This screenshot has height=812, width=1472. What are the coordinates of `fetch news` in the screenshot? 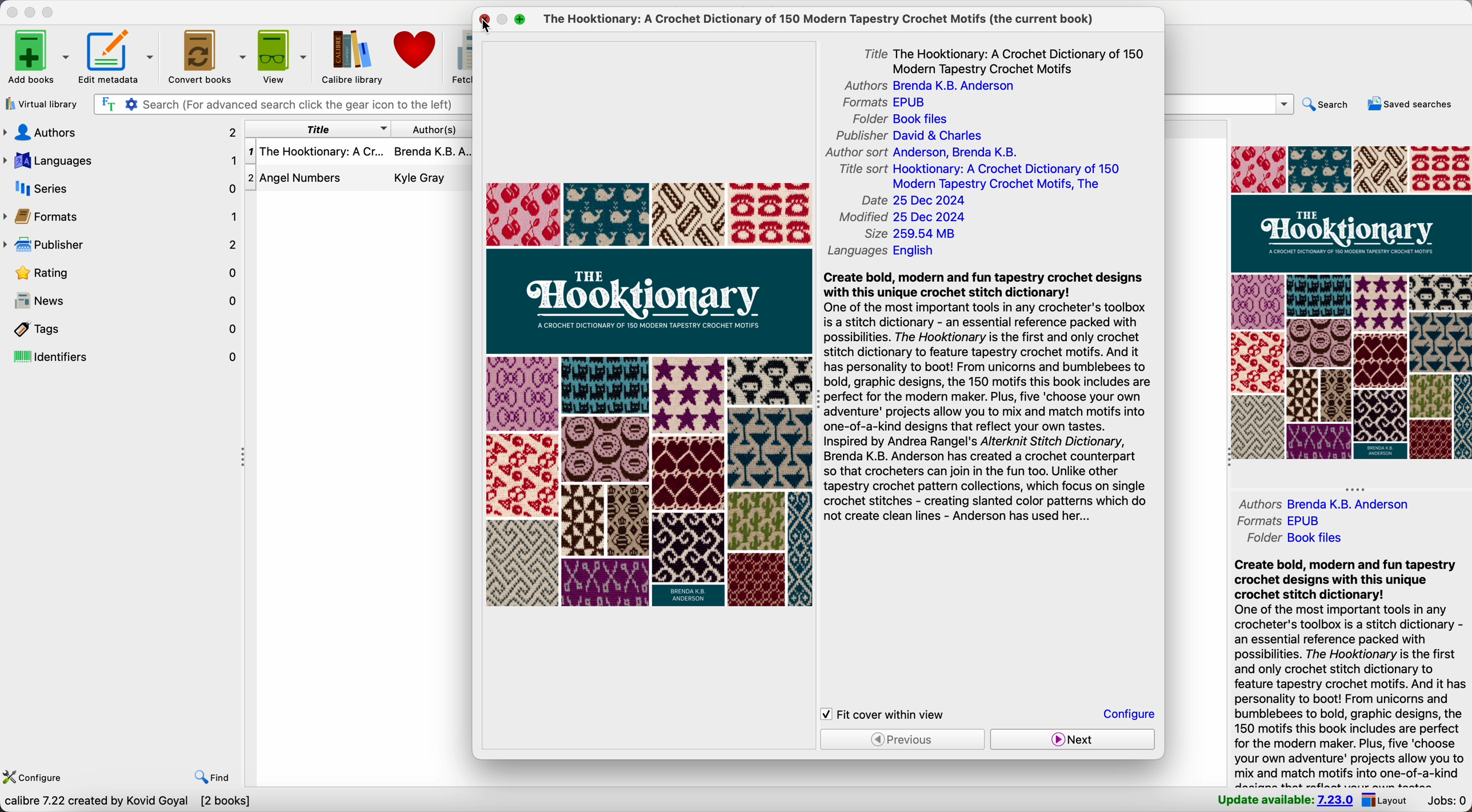 It's located at (459, 55).